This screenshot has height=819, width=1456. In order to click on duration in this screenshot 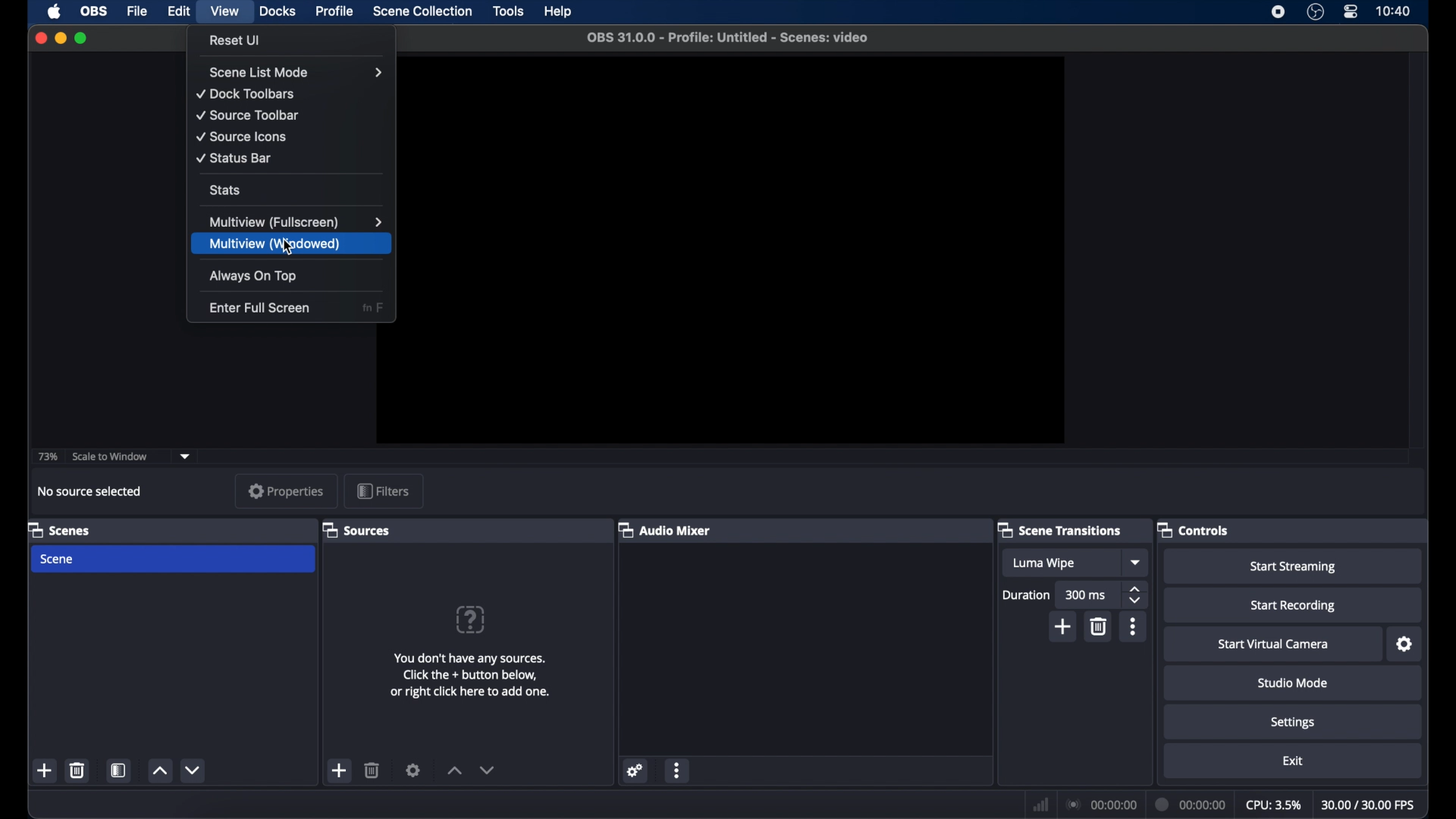, I will do `click(1027, 595)`.